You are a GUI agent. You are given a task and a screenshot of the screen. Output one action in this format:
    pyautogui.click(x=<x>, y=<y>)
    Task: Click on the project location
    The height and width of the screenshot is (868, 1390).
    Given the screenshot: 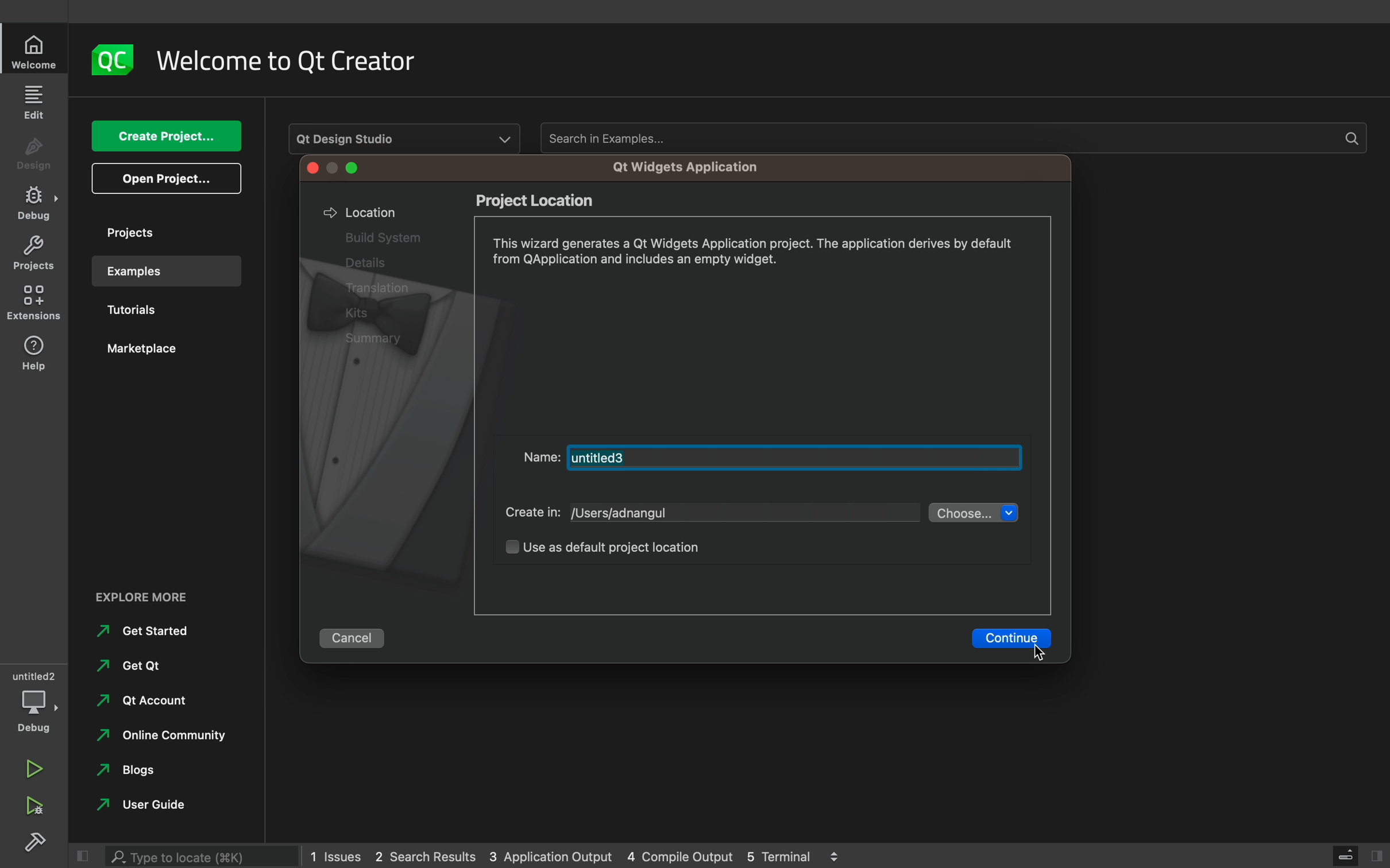 What is the action you would take?
    pyautogui.click(x=544, y=199)
    